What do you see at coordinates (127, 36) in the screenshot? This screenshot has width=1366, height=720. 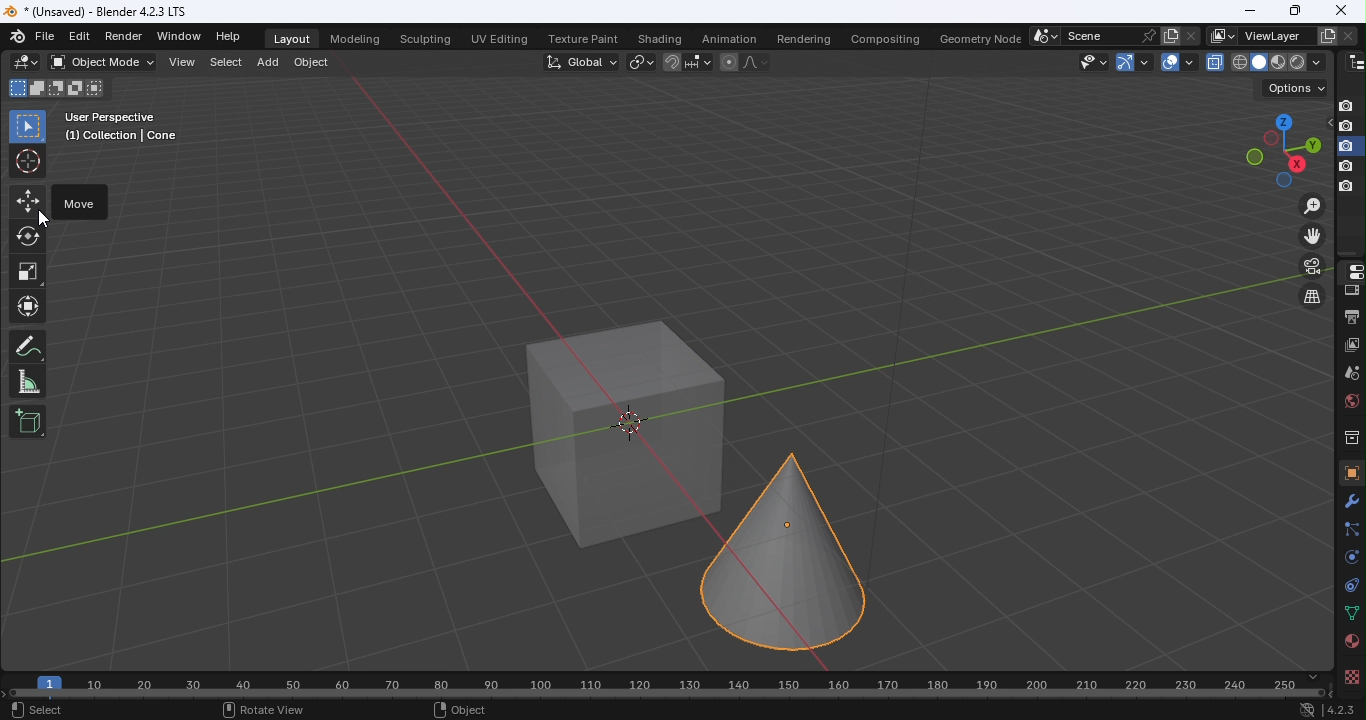 I see `Render` at bounding box center [127, 36].